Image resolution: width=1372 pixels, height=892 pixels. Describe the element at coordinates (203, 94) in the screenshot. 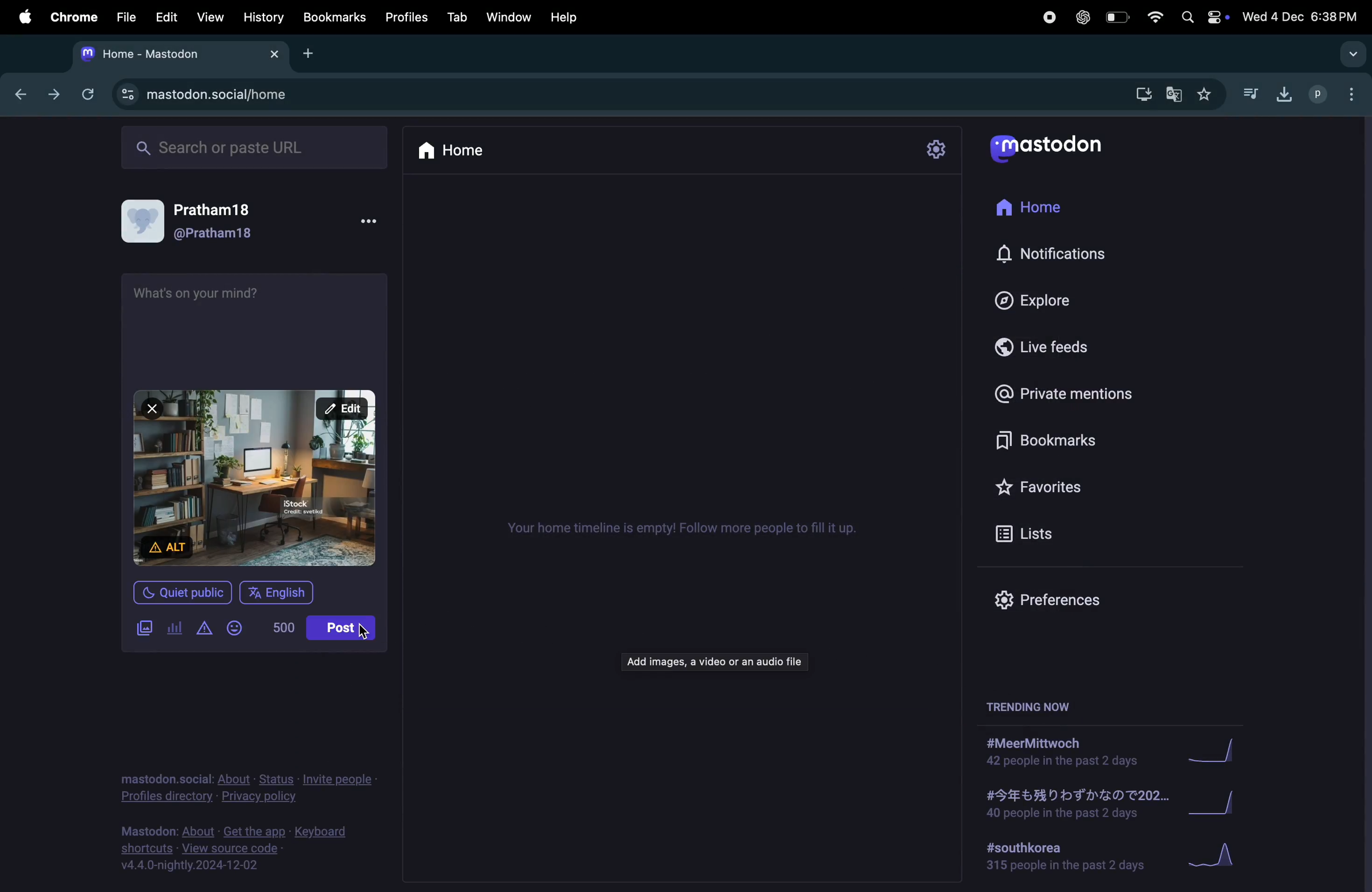

I see `mastodon url` at that location.